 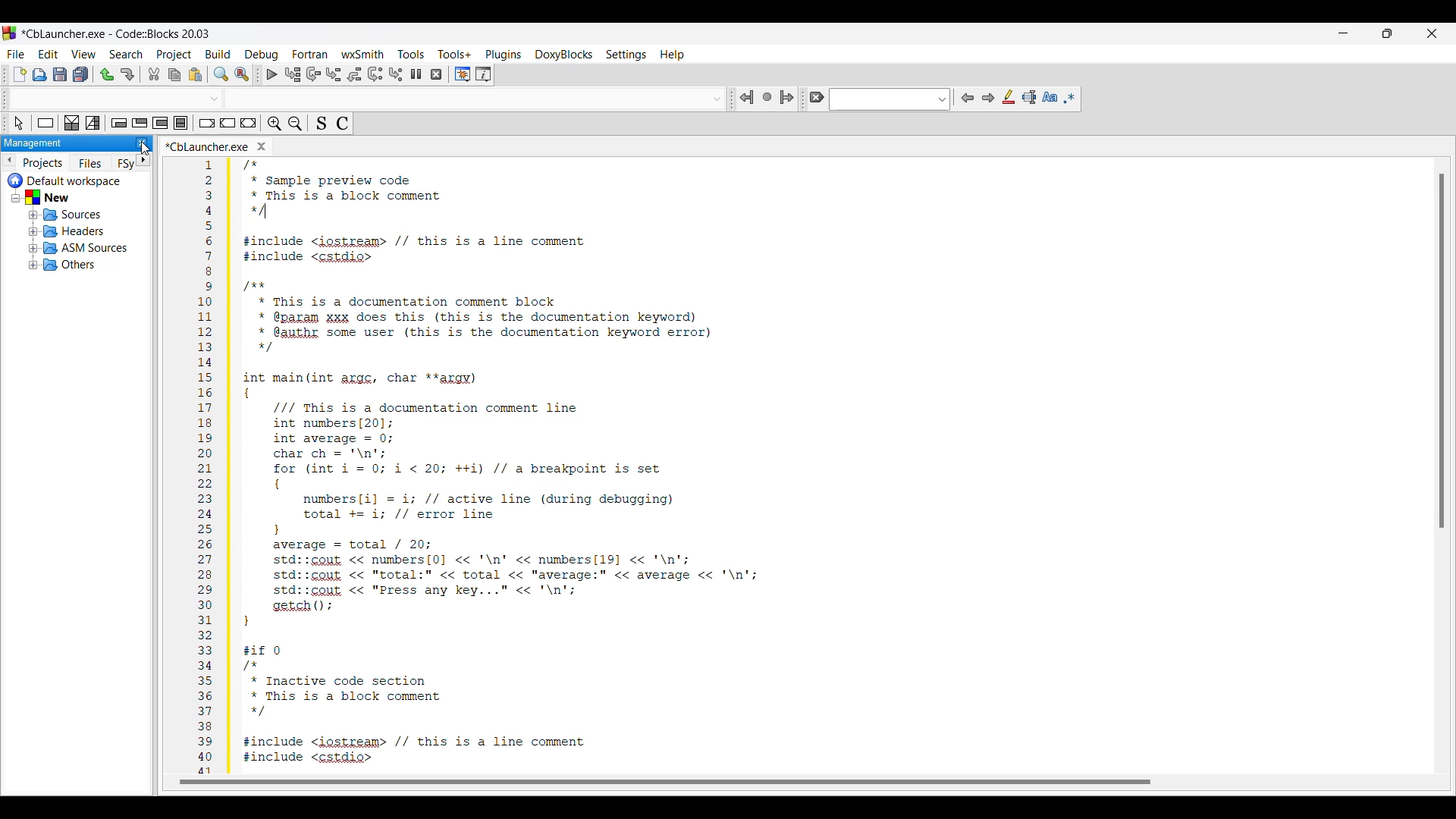 I want to click on Match case , so click(x=1050, y=97).